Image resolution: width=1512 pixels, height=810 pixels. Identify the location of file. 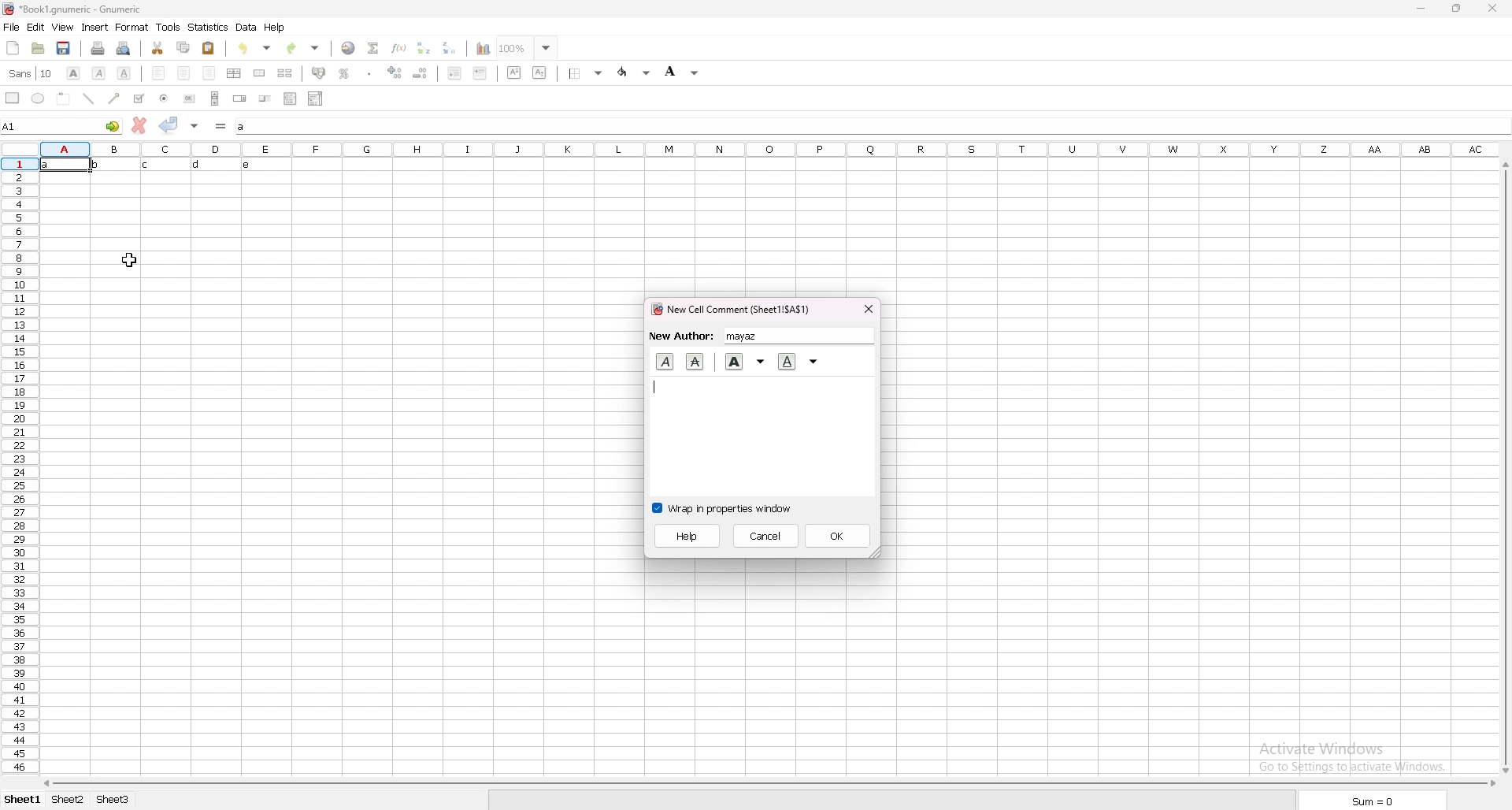
(12, 27).